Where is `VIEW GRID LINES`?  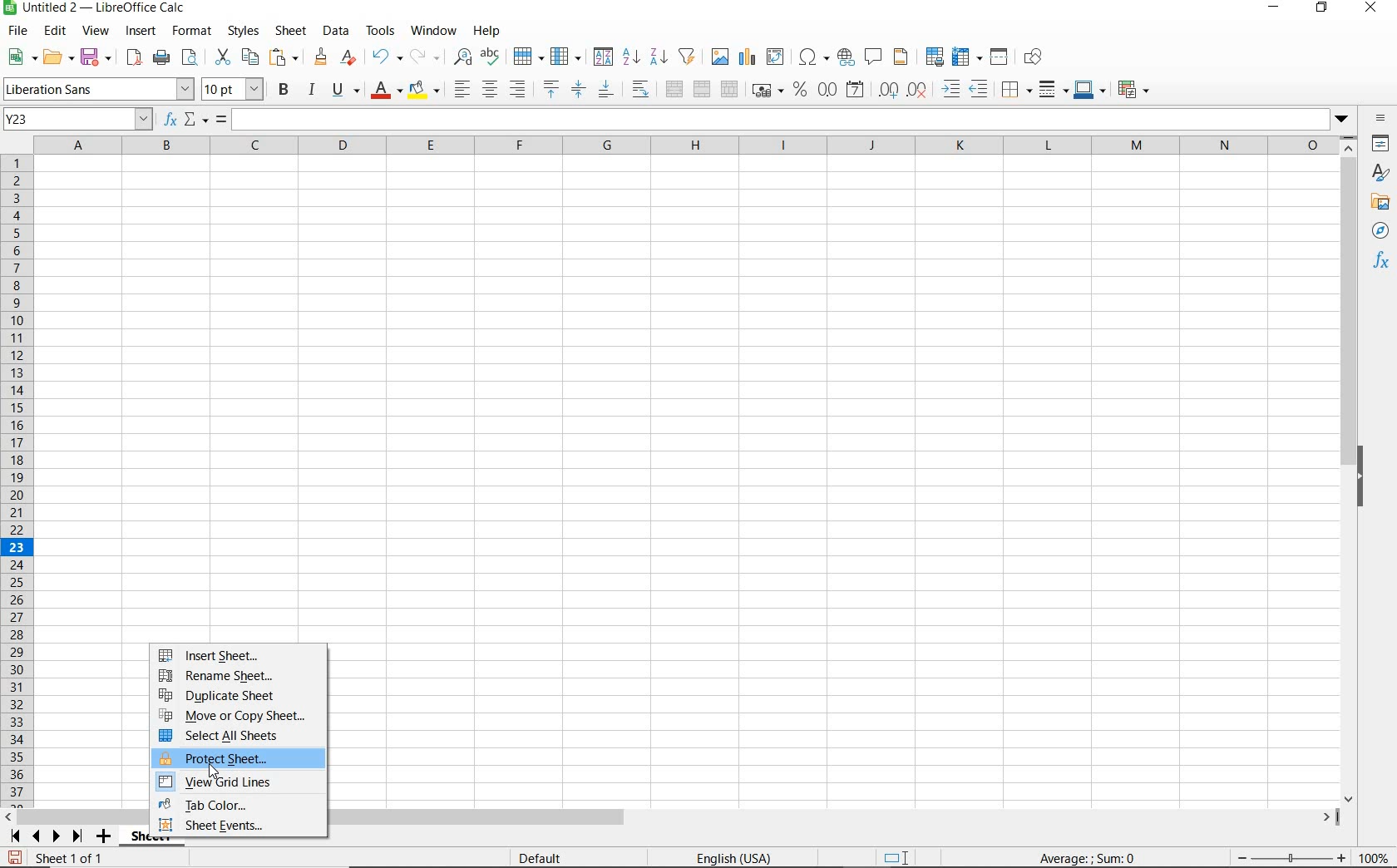
VIEW GRID LINES is located at coordinates (220, 785).